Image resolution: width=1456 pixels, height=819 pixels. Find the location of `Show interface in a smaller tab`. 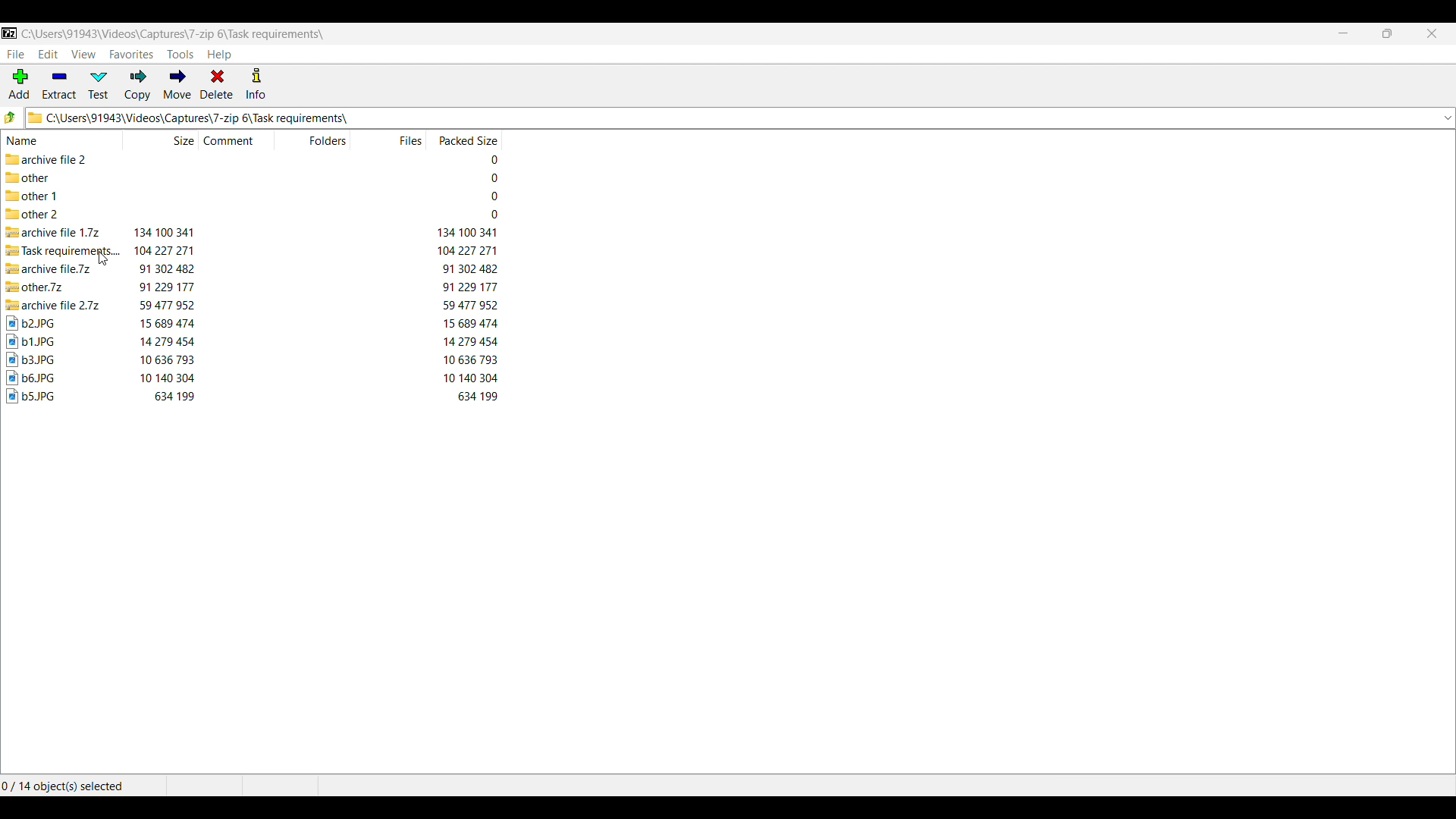

Show interface in a smaller tab is located at coordinates (1388, 33).